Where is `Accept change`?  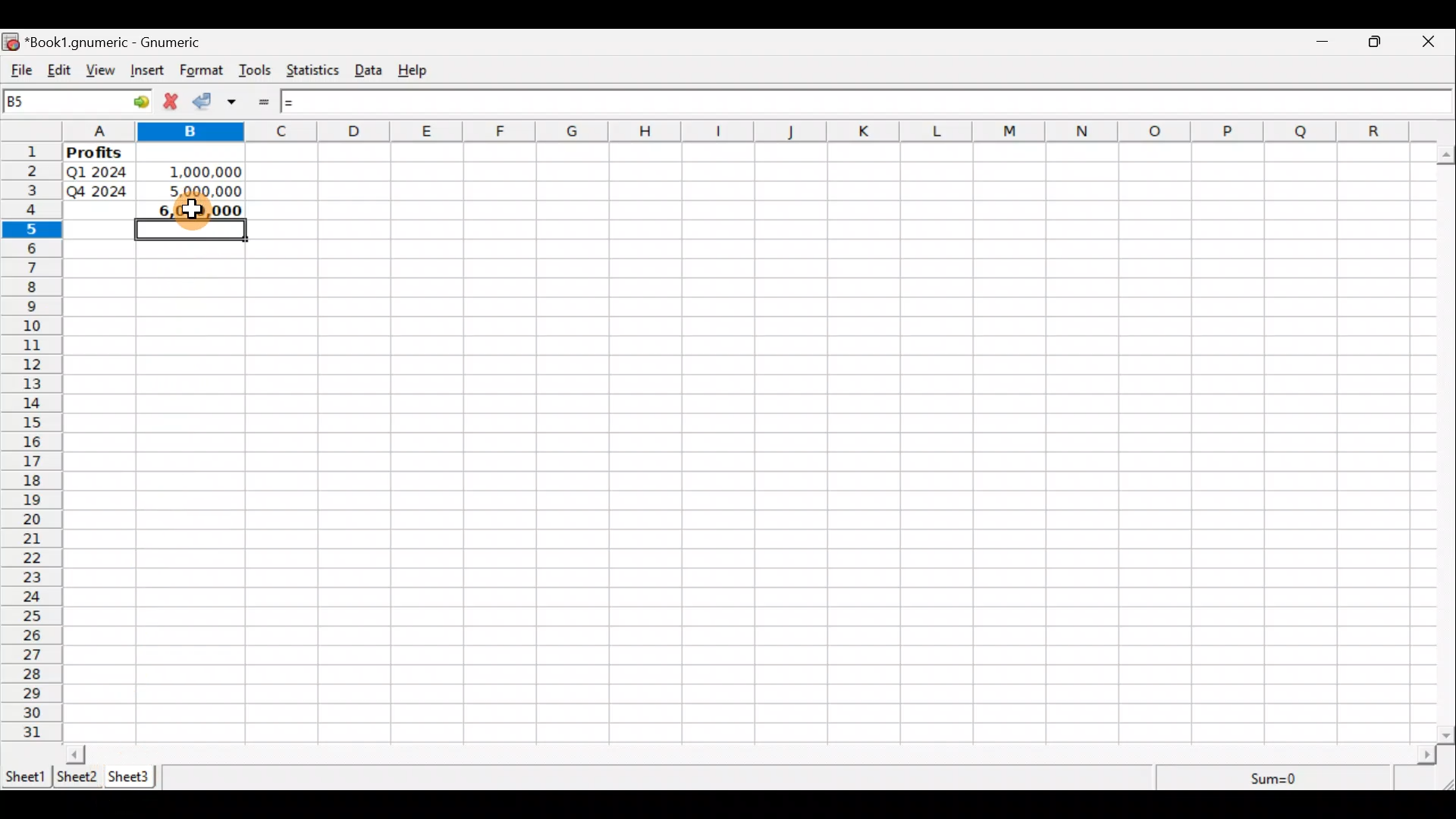
Accept change is located at coordinates (206, 102).